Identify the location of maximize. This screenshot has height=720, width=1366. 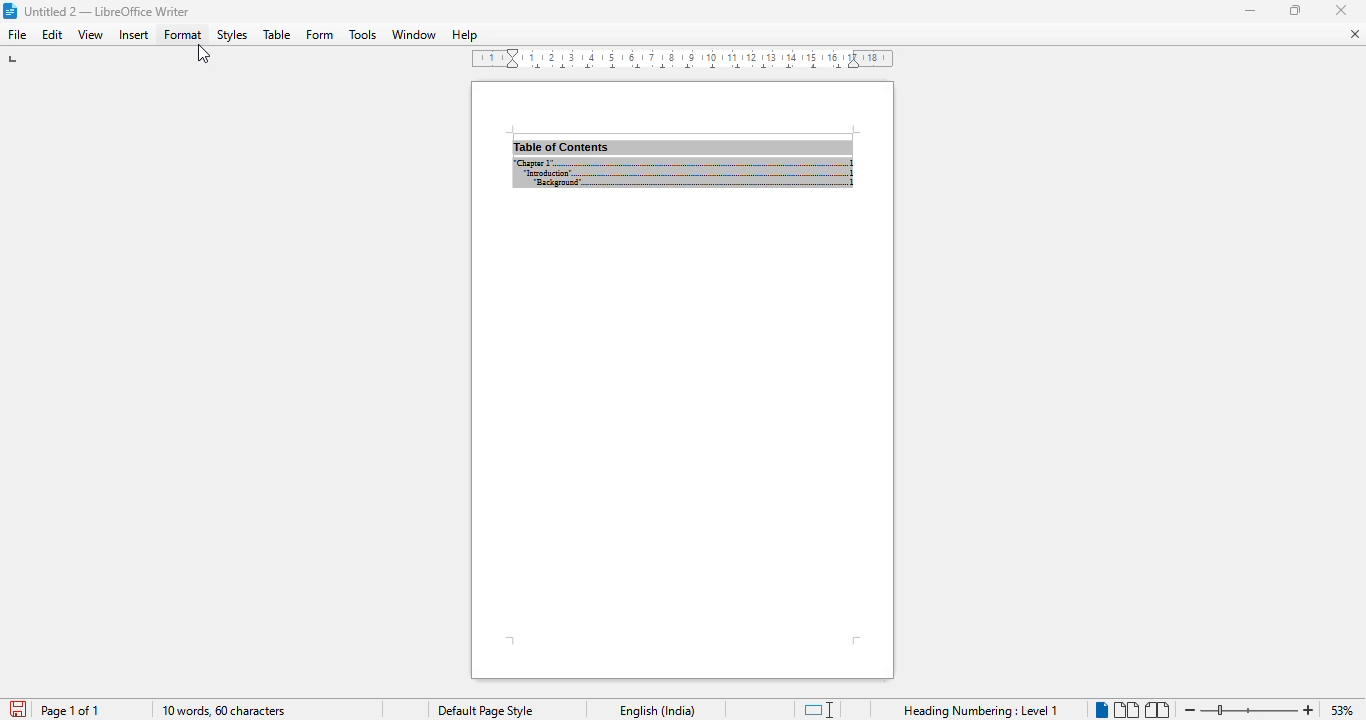
(1297, 11).